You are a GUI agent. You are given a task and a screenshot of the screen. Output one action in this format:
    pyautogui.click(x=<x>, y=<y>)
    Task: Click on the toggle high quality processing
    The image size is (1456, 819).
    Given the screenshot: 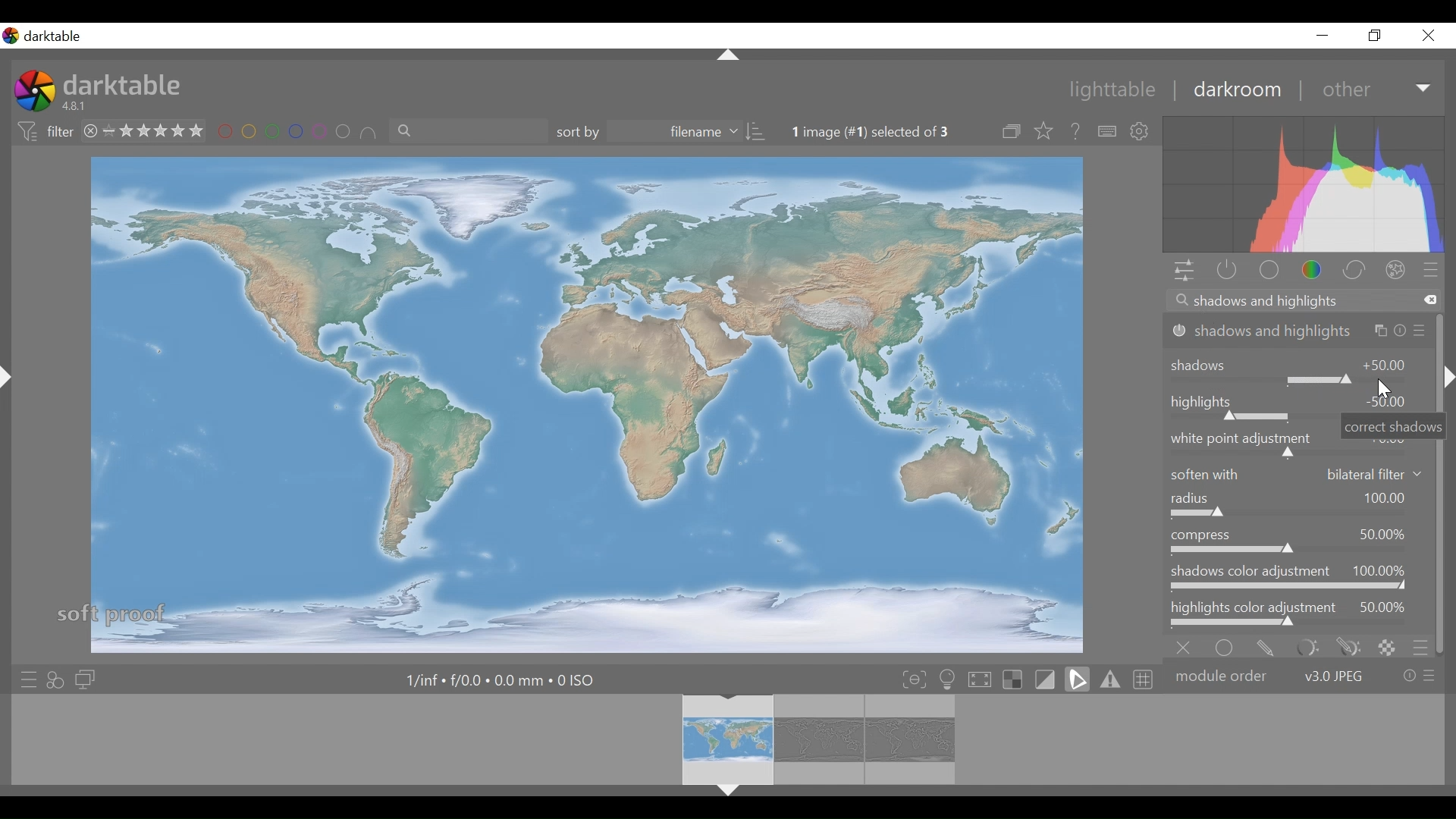 What is the action you would take?
    pyautogui.click(x=981, y=680)
    